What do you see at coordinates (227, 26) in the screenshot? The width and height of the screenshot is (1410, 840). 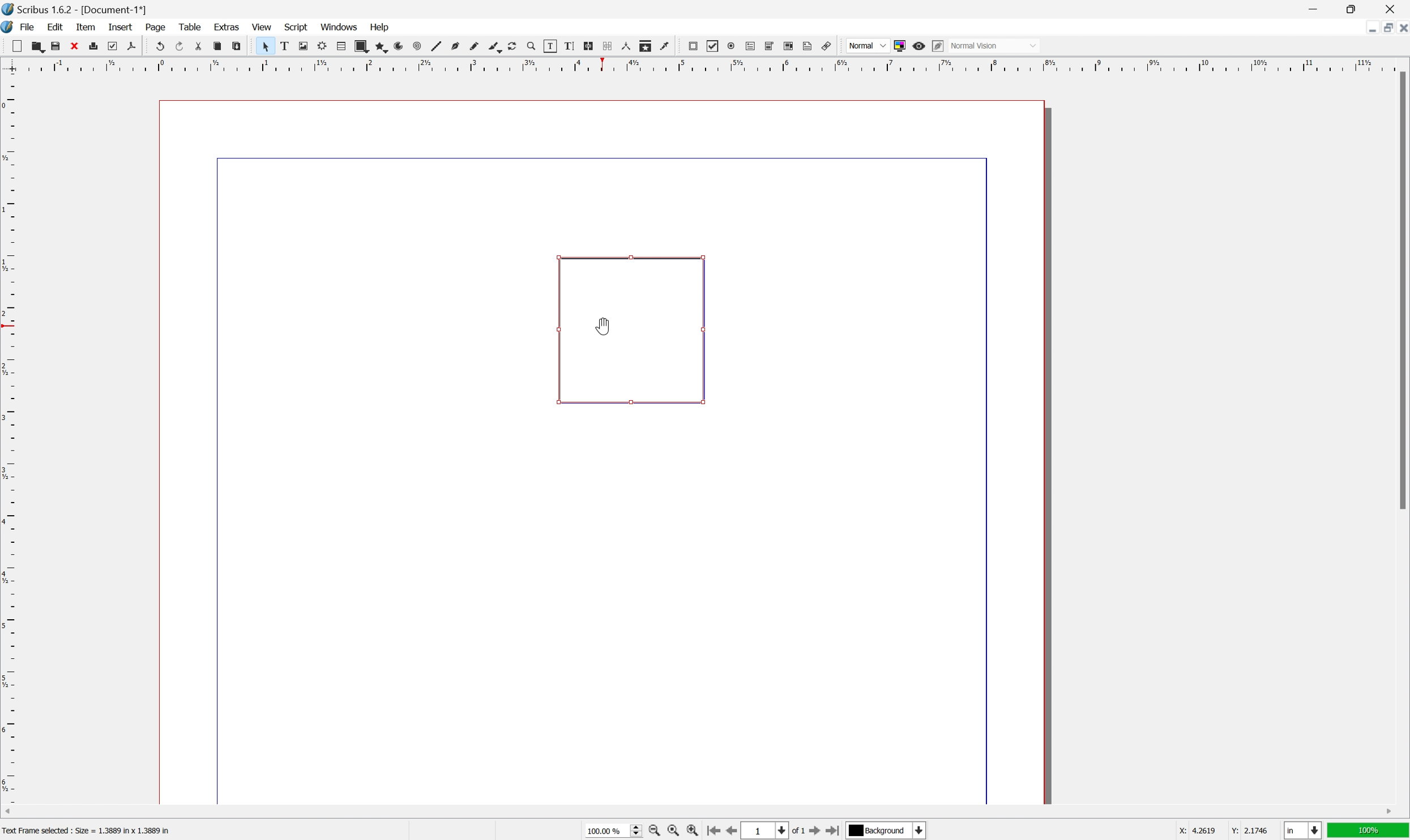 I see `extras` at bounding box center [227, 26].